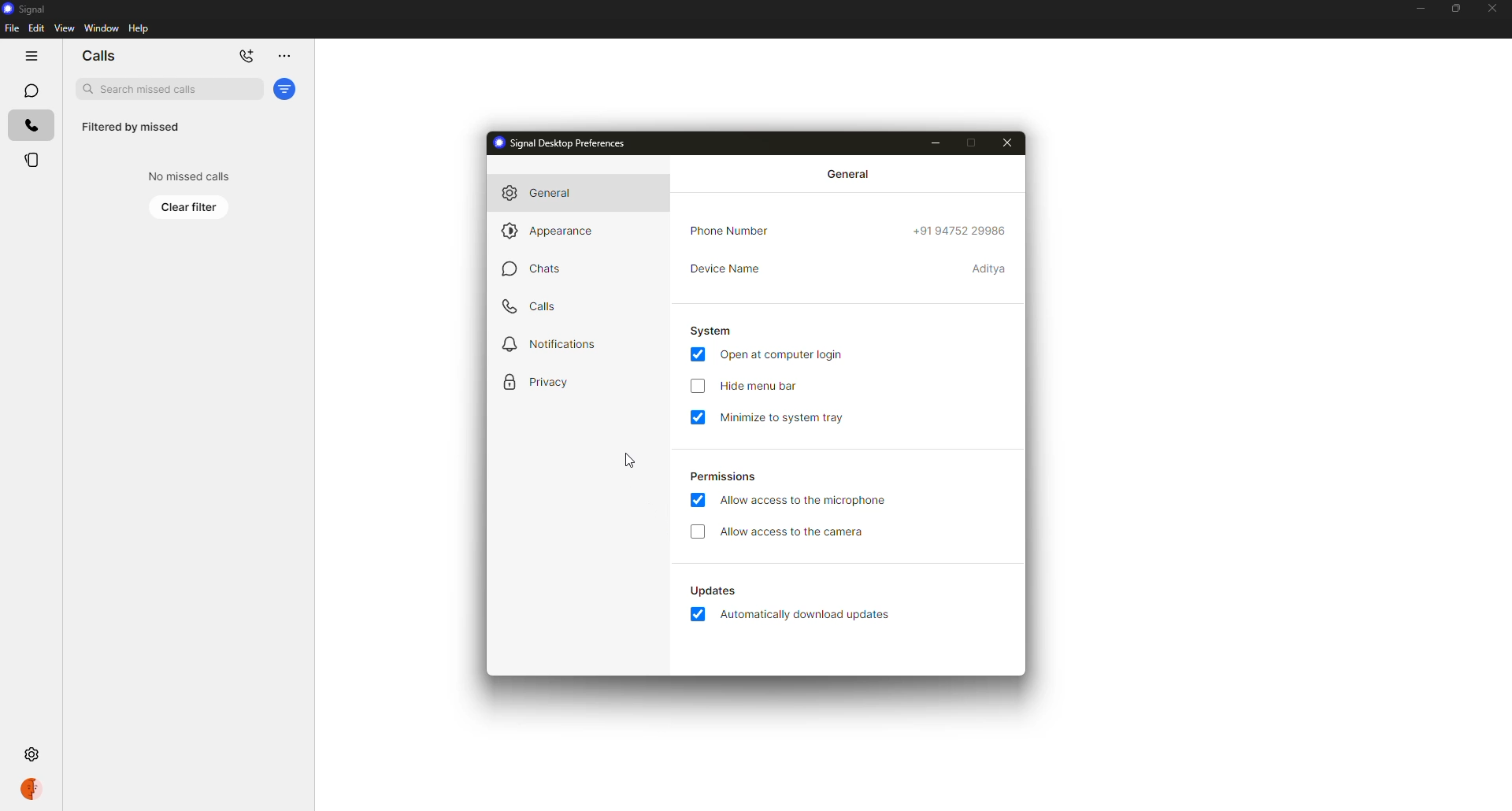 The height and width of the screenshot is (811, 1512). What do you see at coordinates (31, 789) in the screenshot?
I see `profile` at bounding box center [31, 789].